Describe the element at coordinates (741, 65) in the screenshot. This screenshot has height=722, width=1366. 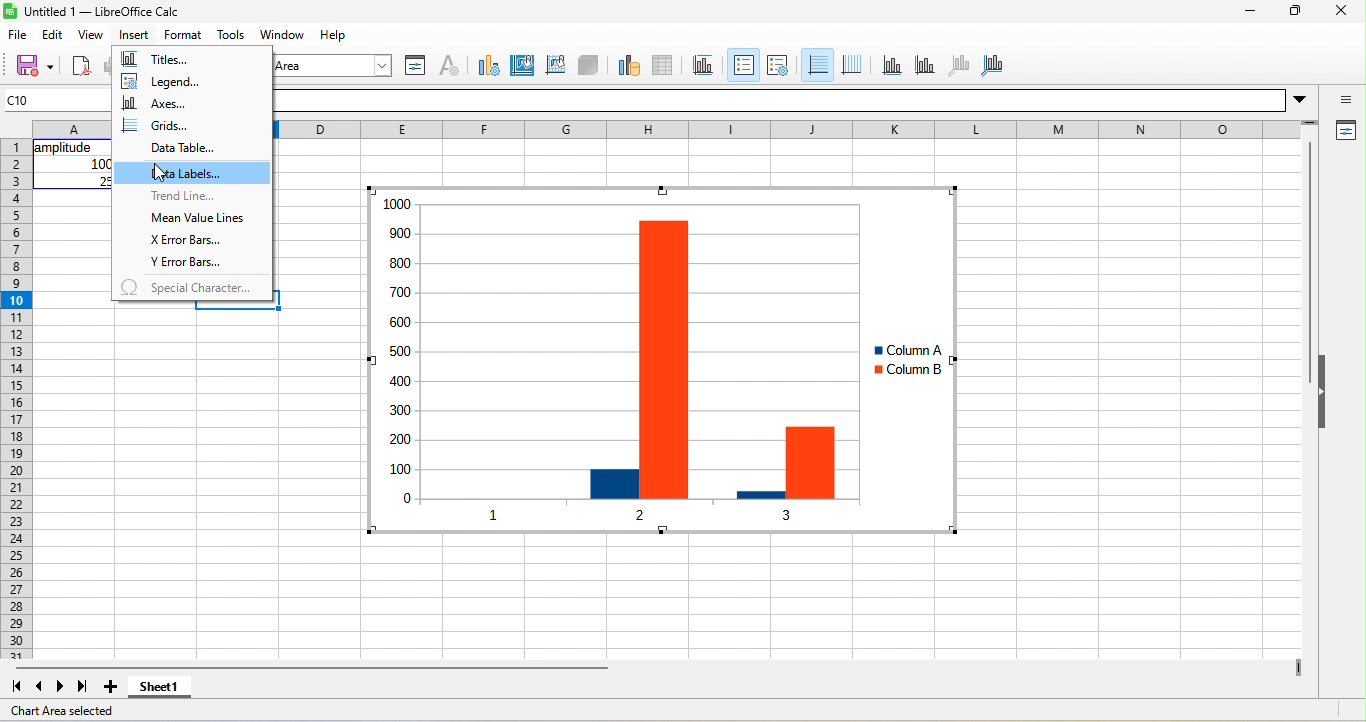
I see `legend on/off` at that location.